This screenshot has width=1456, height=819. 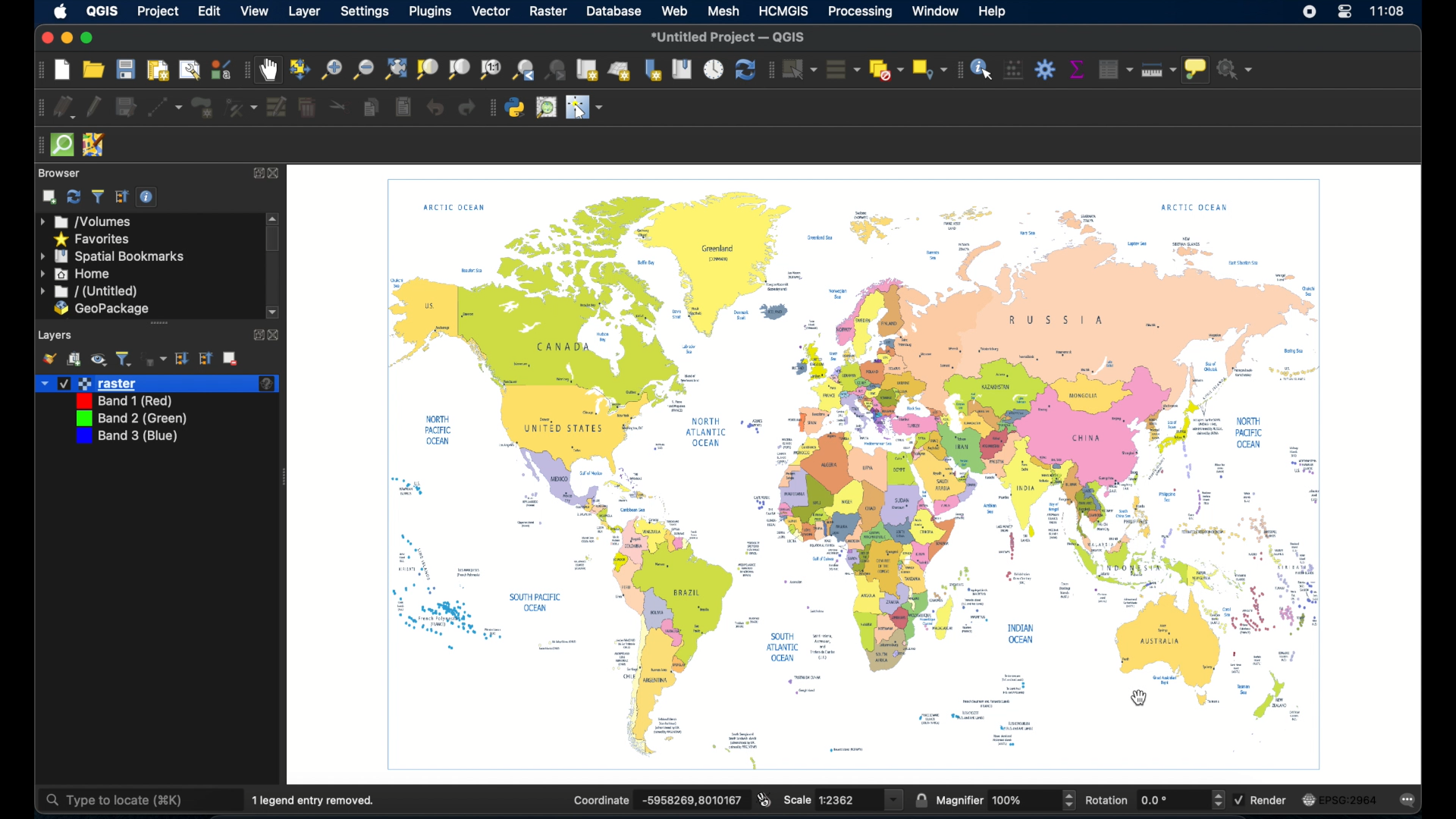 What do you see at coordinates (240, 108) in the screenshot?
I see `modify attributes ` at bounding box center [240, 108].